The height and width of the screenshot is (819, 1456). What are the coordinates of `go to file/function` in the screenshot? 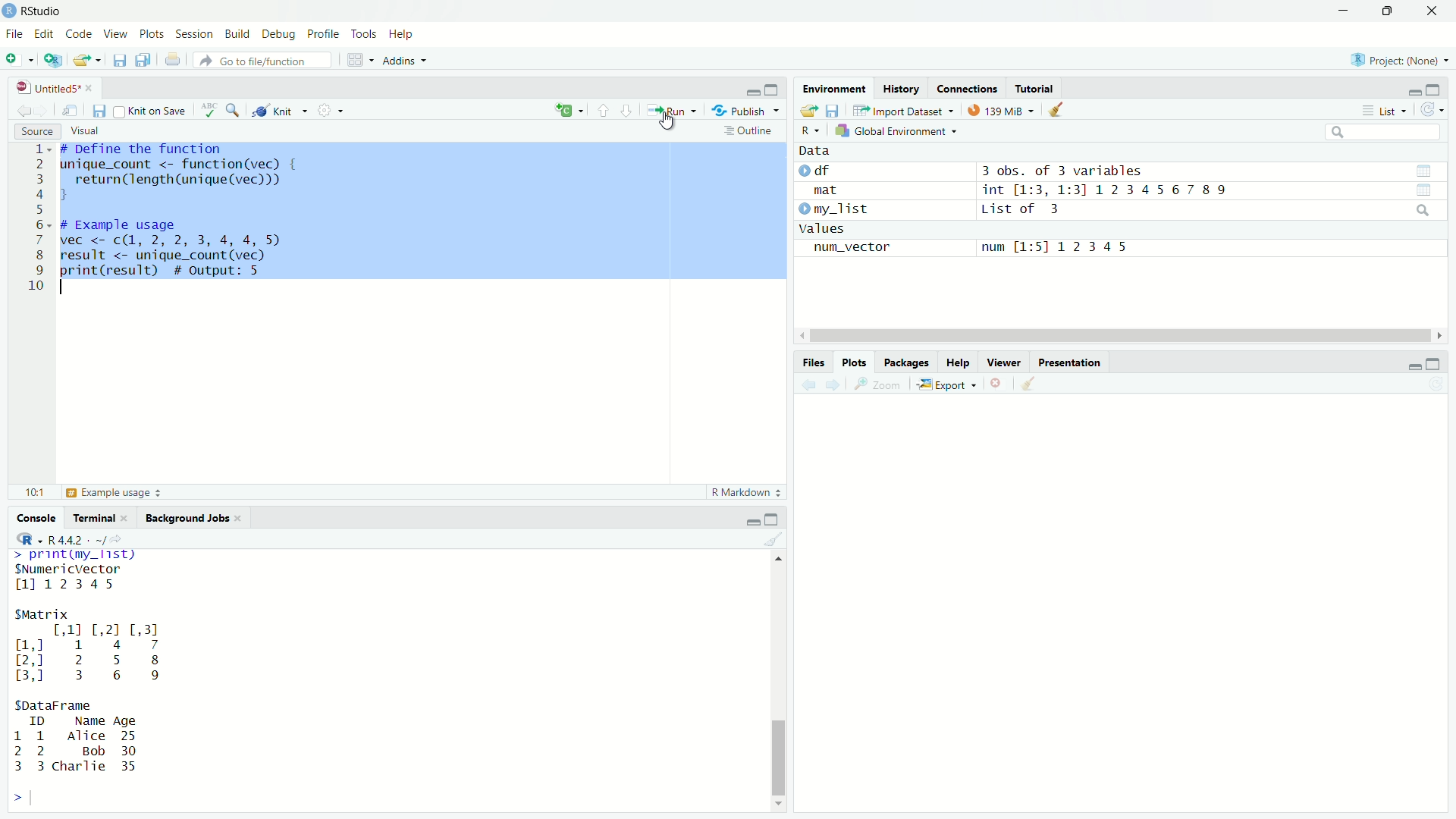 It's located at (263, 60).